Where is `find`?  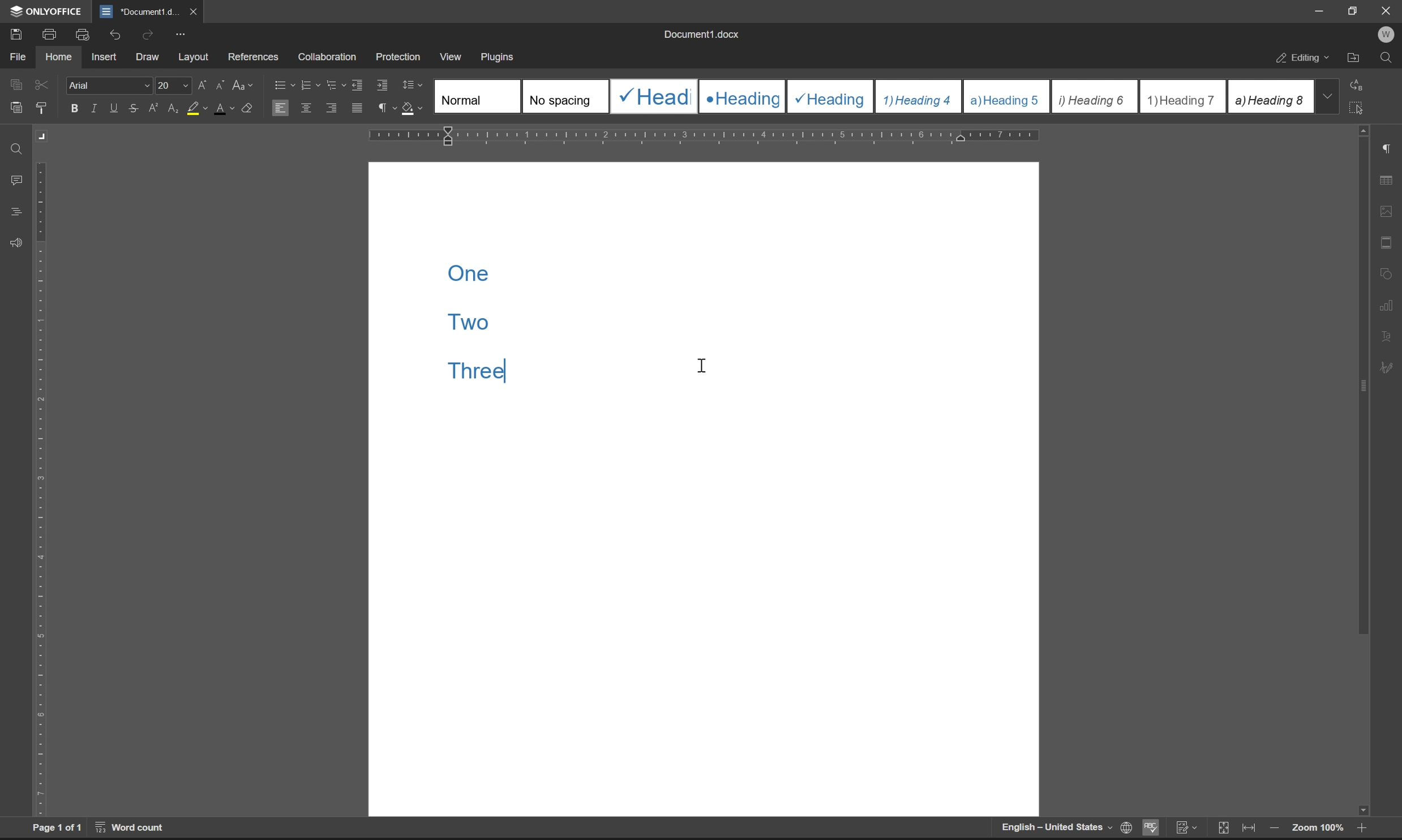 find is located at coordinates (1386, 58).